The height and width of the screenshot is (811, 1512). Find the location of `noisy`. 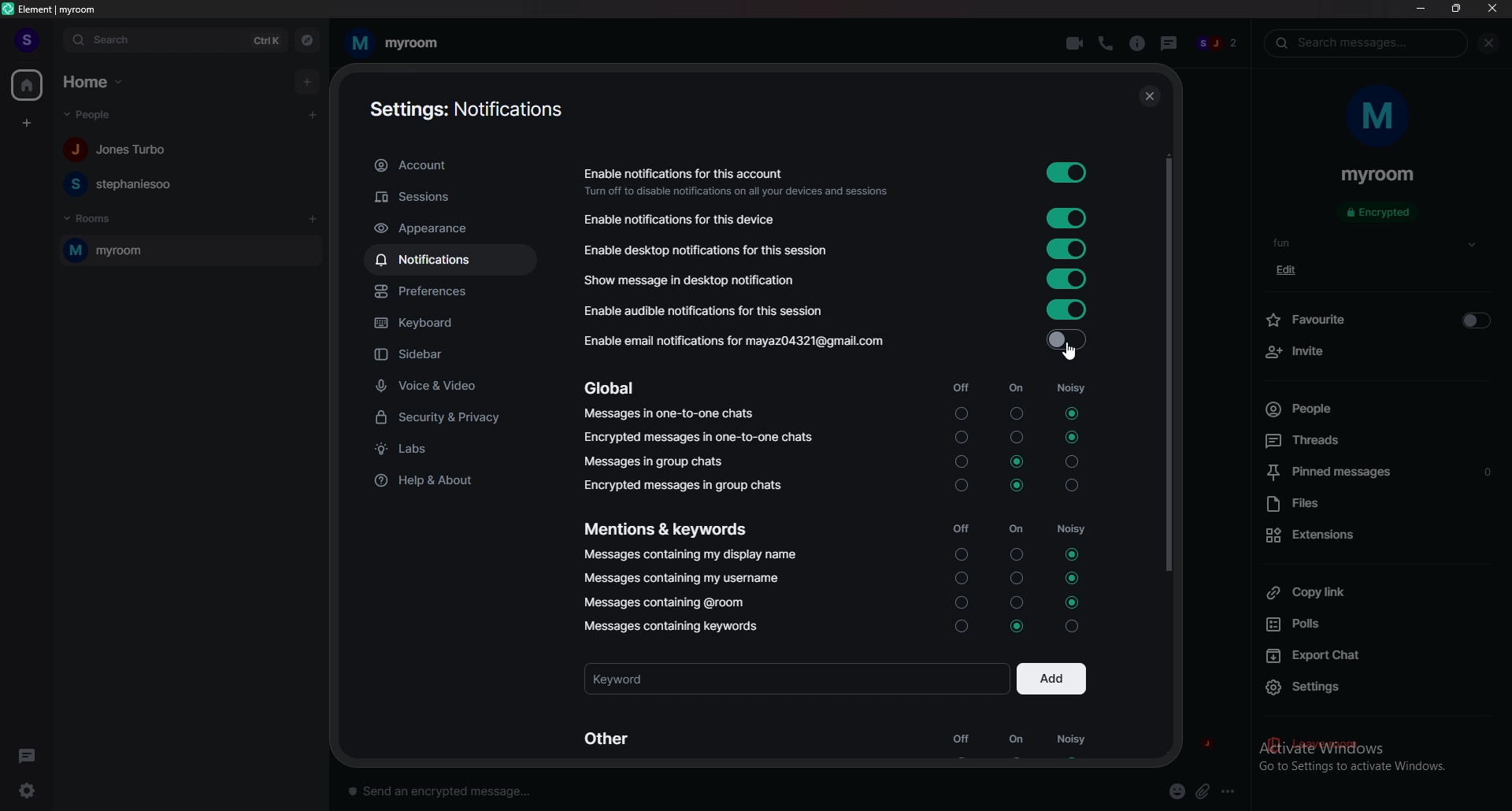

noisy is located at coordinates (1070, 743).